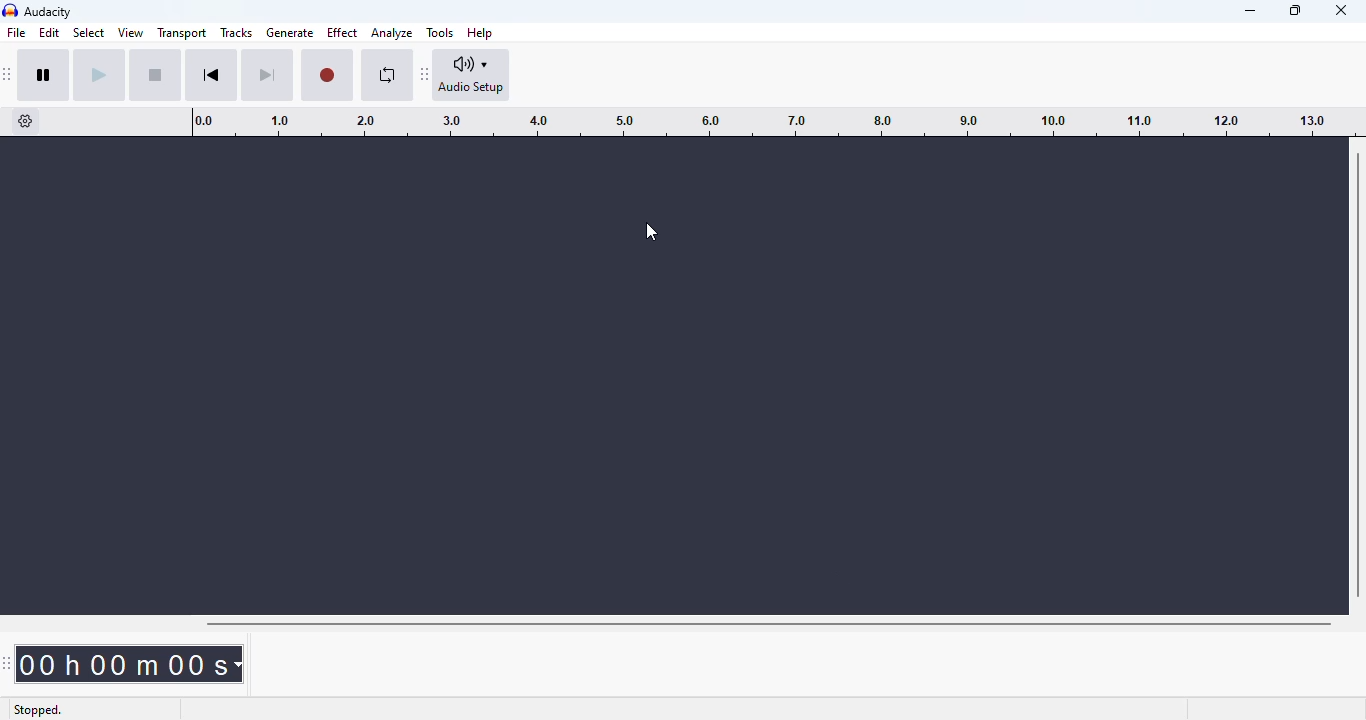 The image size is (1366, 720). What do you see at coordinates (481, 32) in the screenshot?
I see `help` at bounding box center [481, 32].